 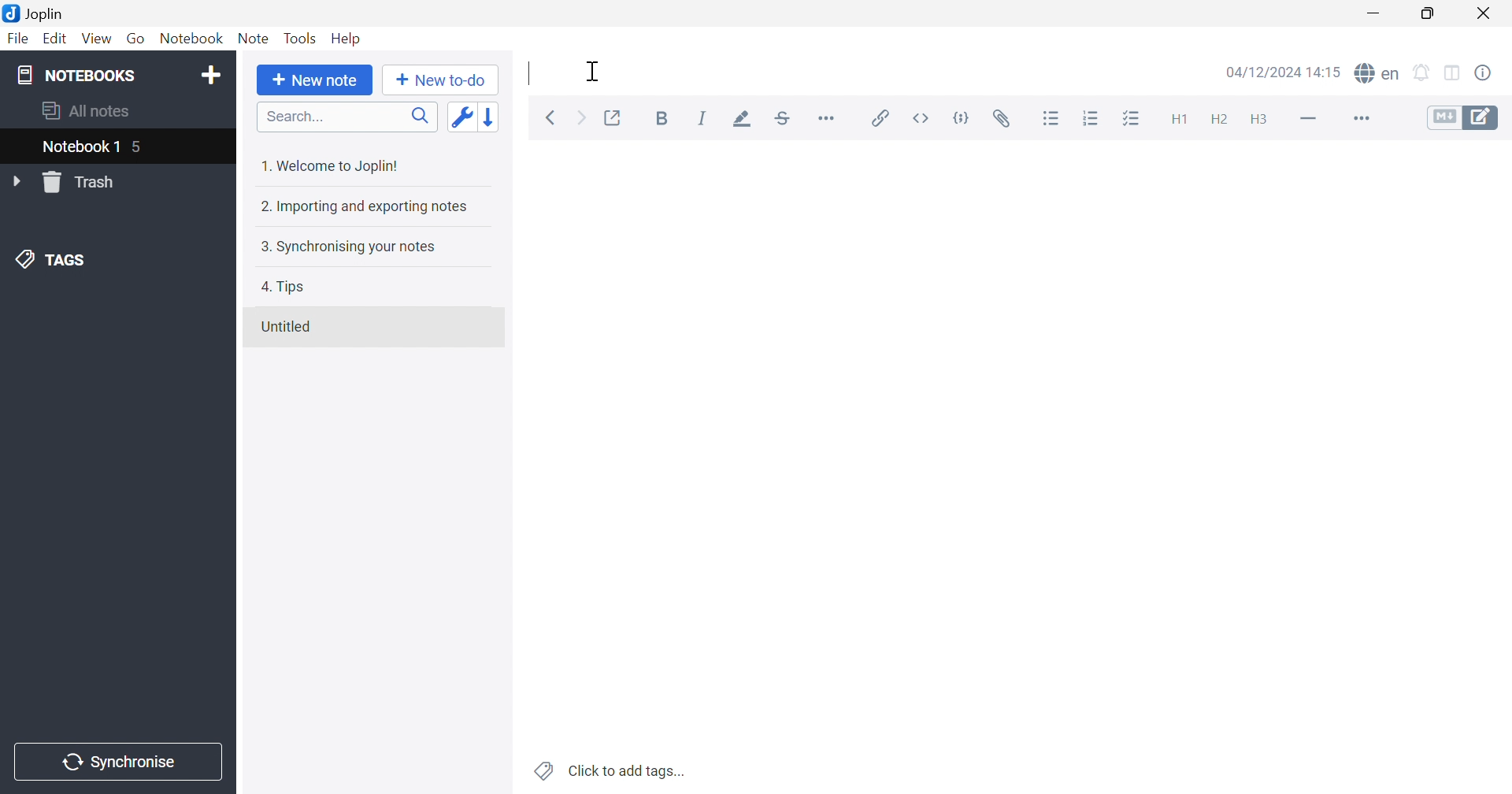 What do you see at coordinates (135, 39) in the screenshot?
I see `Go` at bounding box center [135, 39].